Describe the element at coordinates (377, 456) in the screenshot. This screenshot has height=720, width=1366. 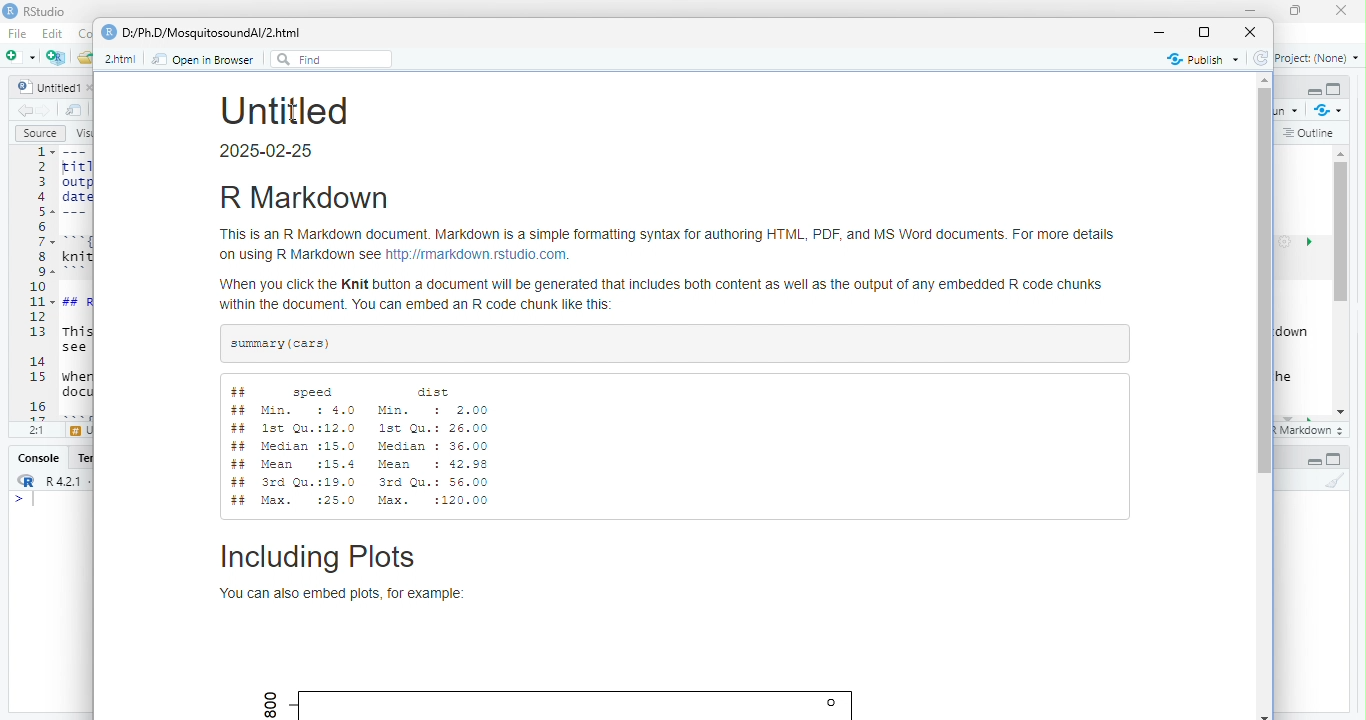
I see `Min. : 4.0 Min. oo: 2.00
1st Qu.:12.0 1st Qu.: 26.00
Median :15.0 Median : 36.00
Mean 15.4 Mean : 42.9%
3rd Qu.:19.0 3rd Qu.: 56.00
Max.  :25.0 Max.  :120.00` at that location.